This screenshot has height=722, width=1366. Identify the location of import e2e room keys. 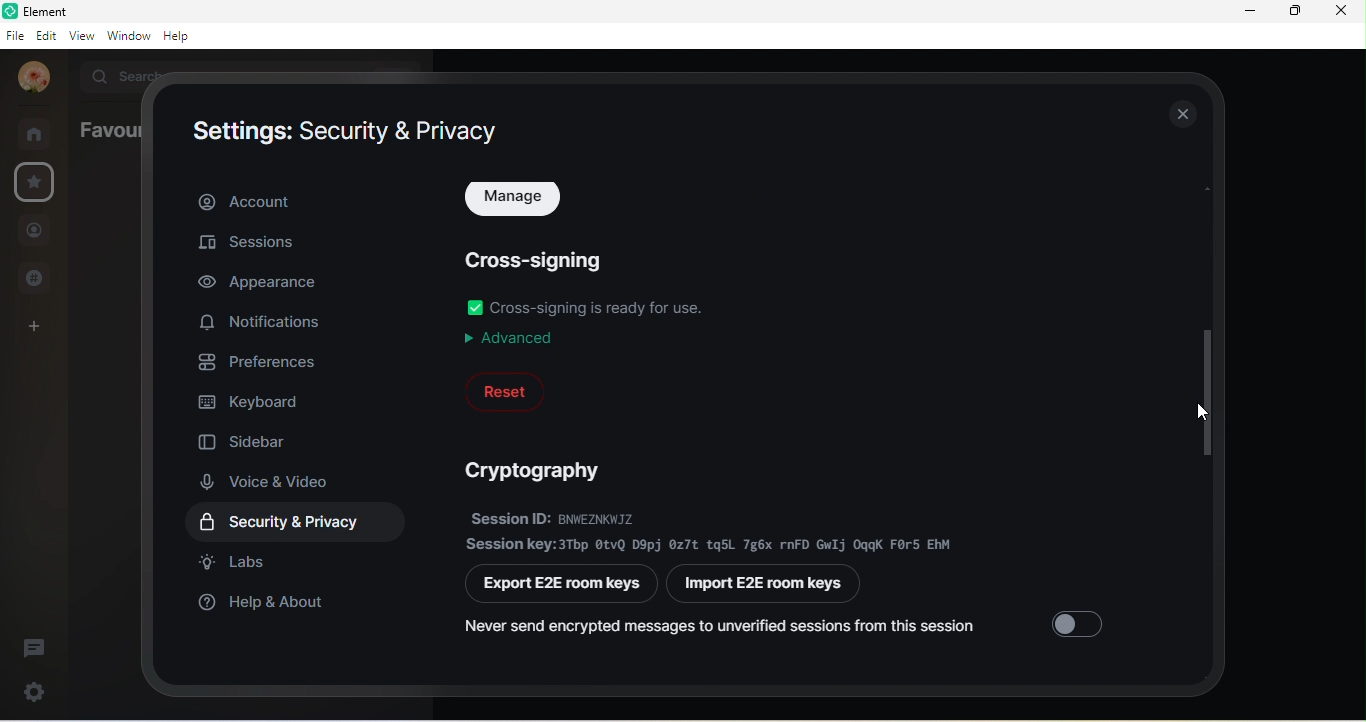
(771, 586).